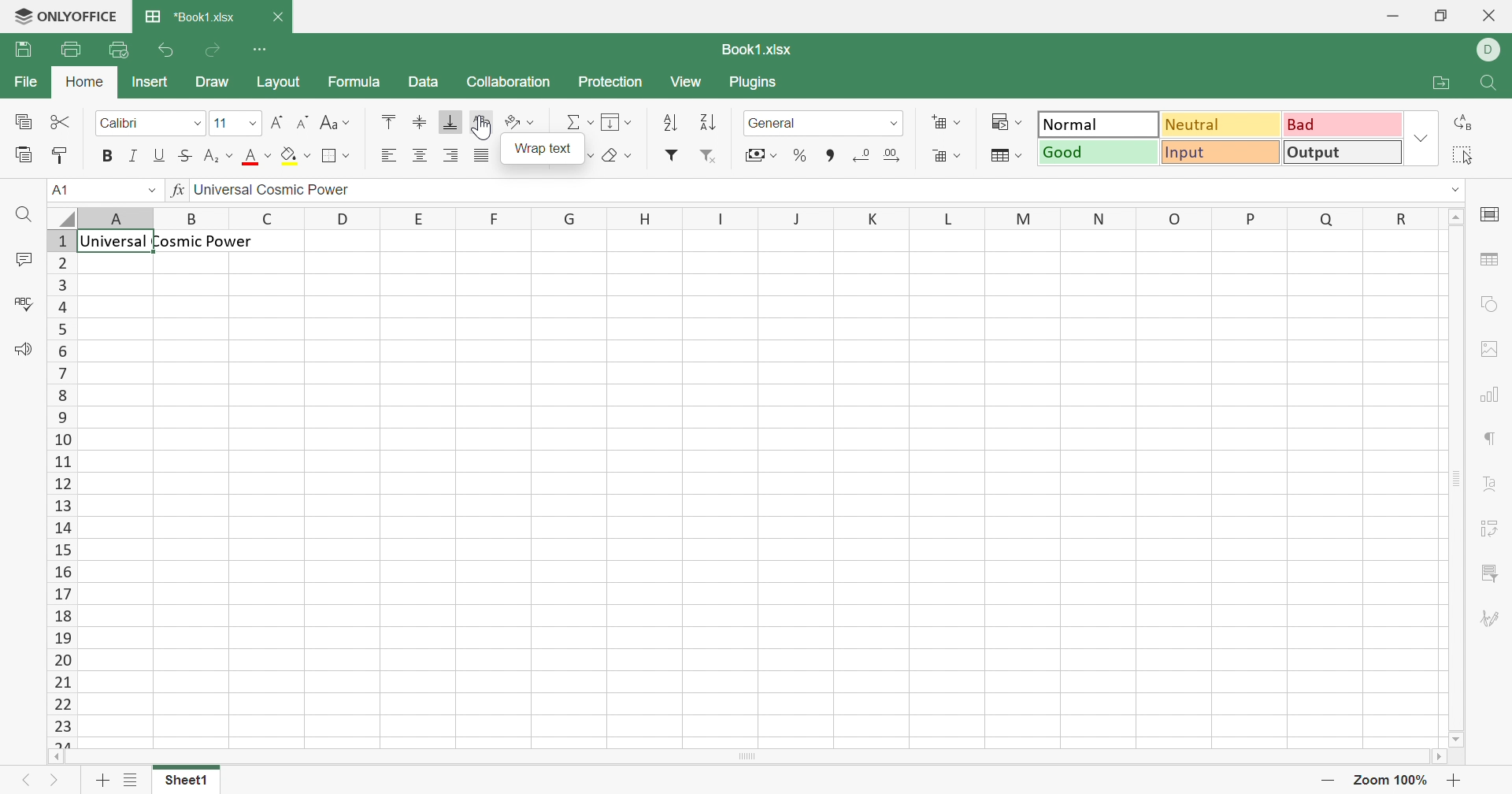  I want to click on Zoom In, so click(1463, 778).